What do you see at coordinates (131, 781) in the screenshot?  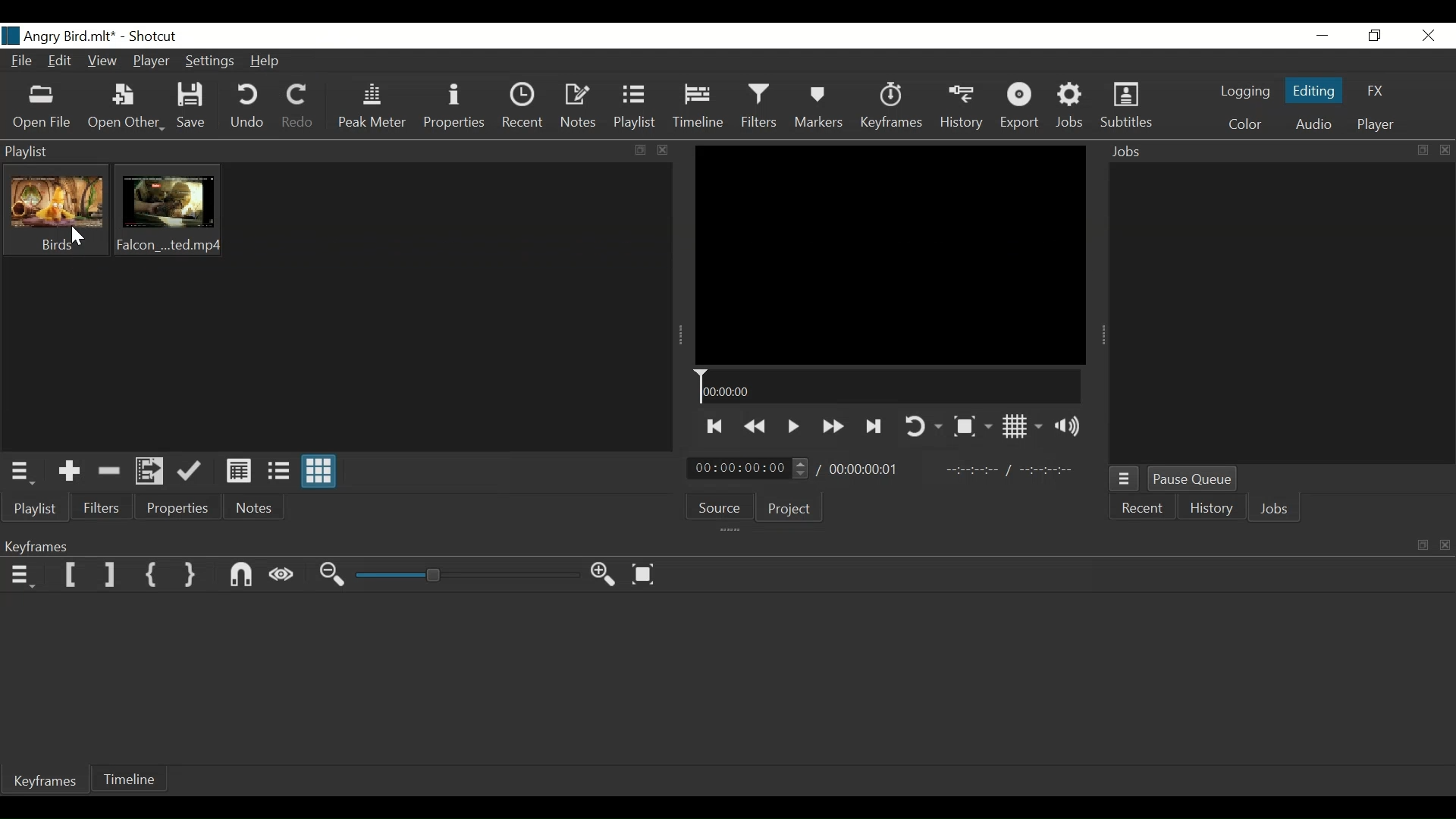 I see `Timeline` at bounding box center [131, 781].